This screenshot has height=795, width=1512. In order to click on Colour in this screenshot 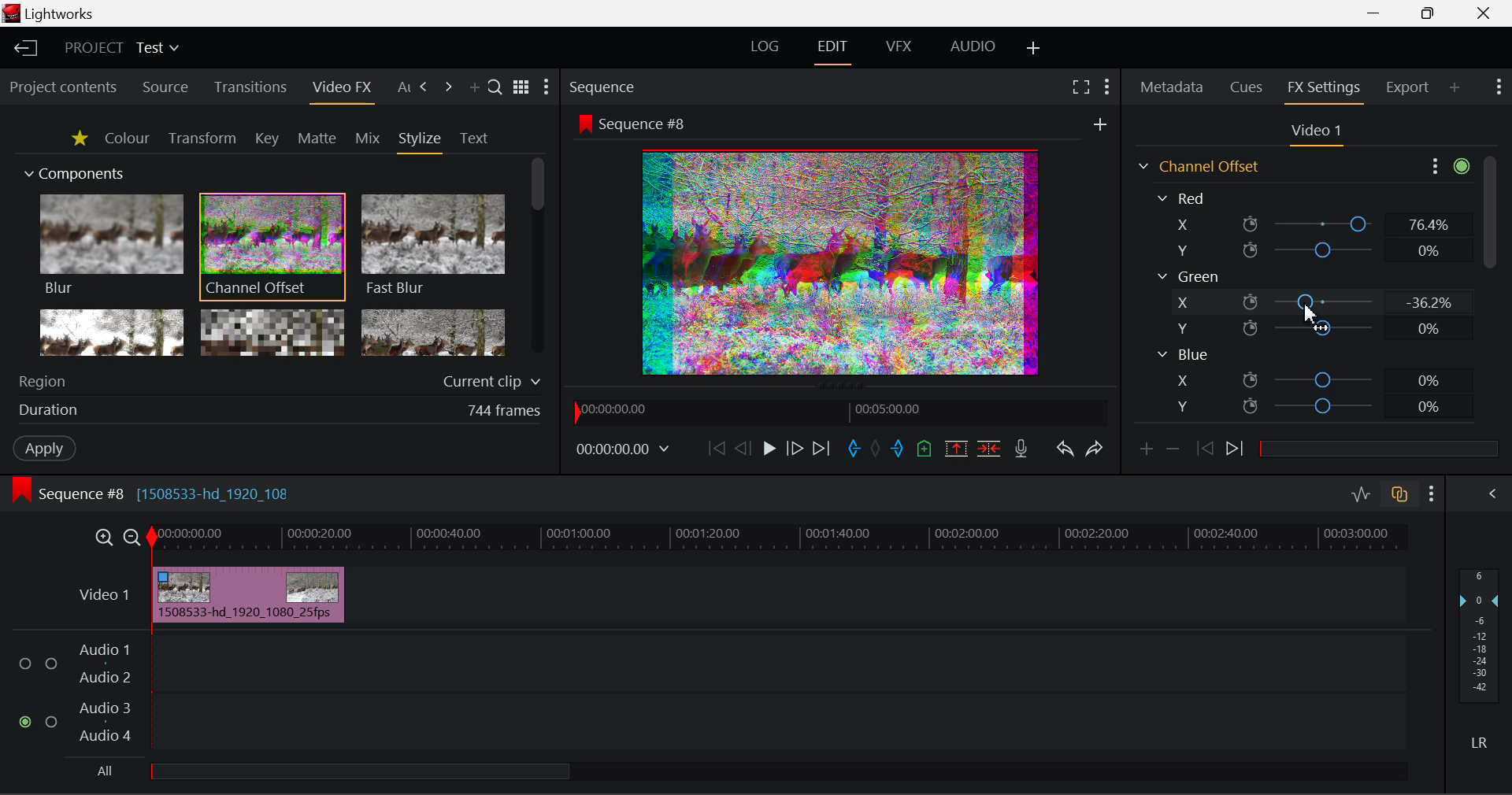, I will do `click(126, 138)`.